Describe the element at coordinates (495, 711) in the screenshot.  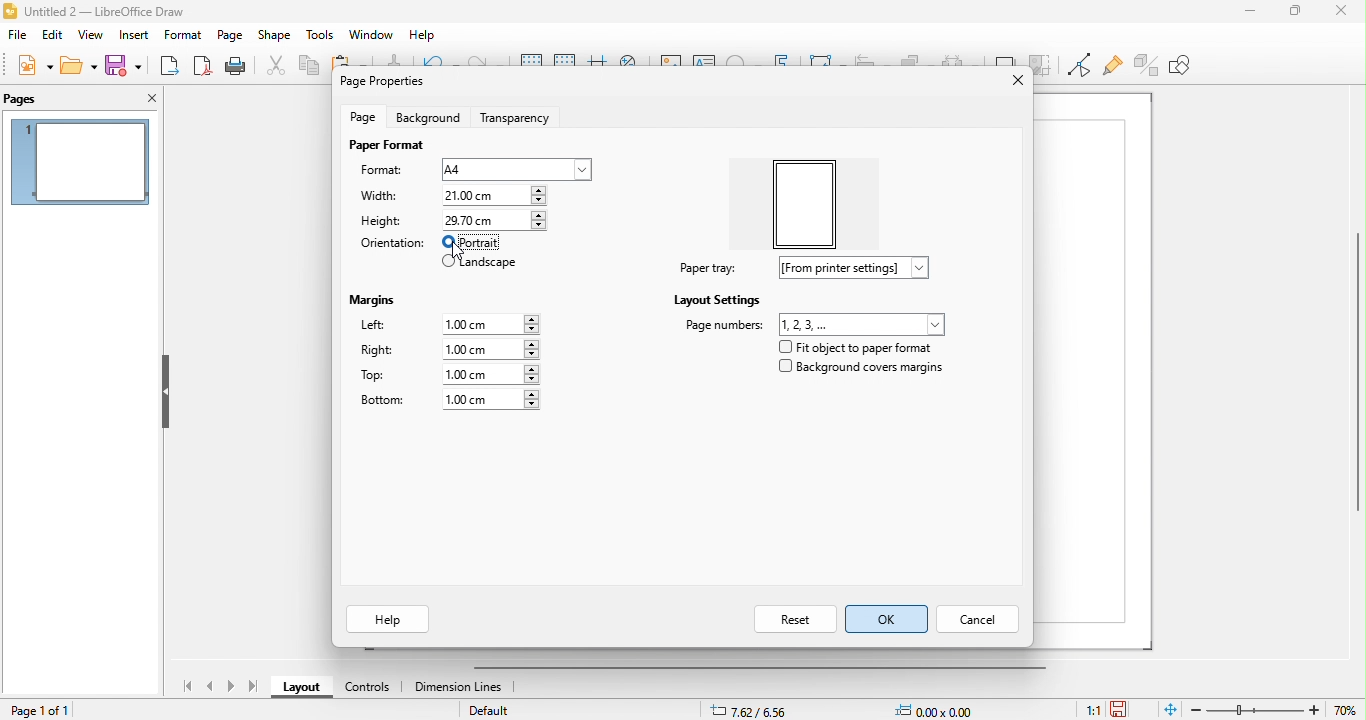
I see `default` at that location.